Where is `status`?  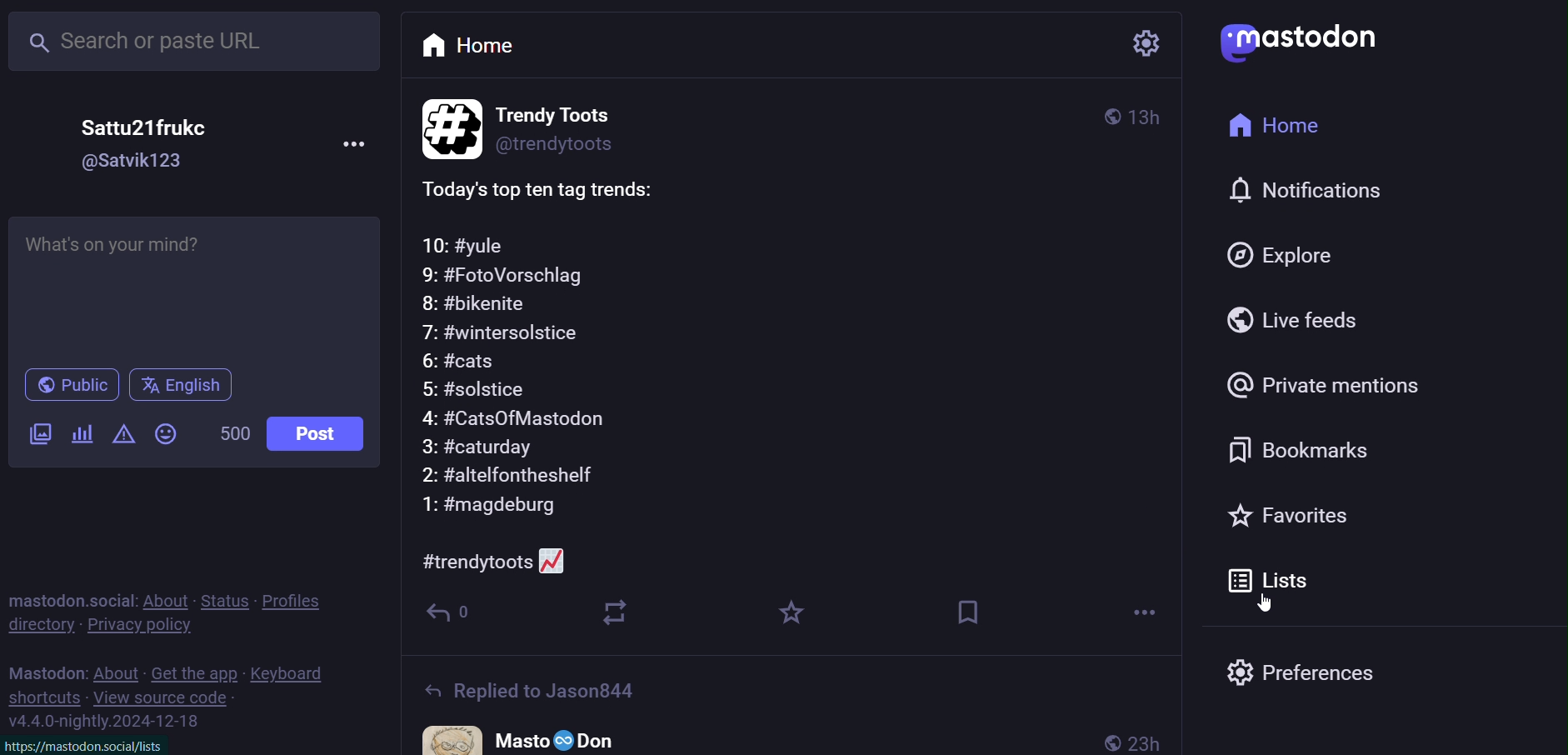 status is located at coordinates (224, 598).